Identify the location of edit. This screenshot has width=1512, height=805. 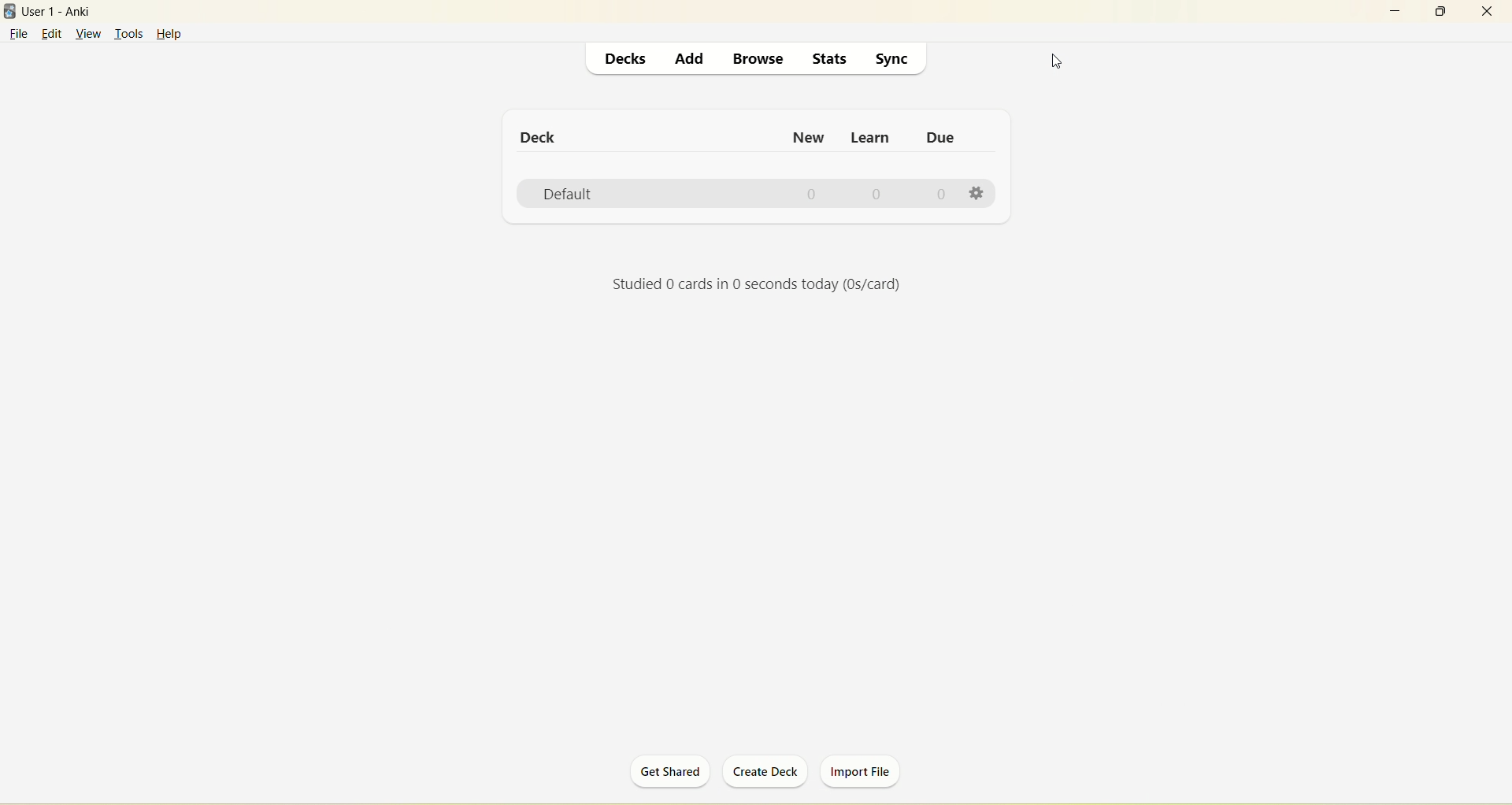
(53, 35).